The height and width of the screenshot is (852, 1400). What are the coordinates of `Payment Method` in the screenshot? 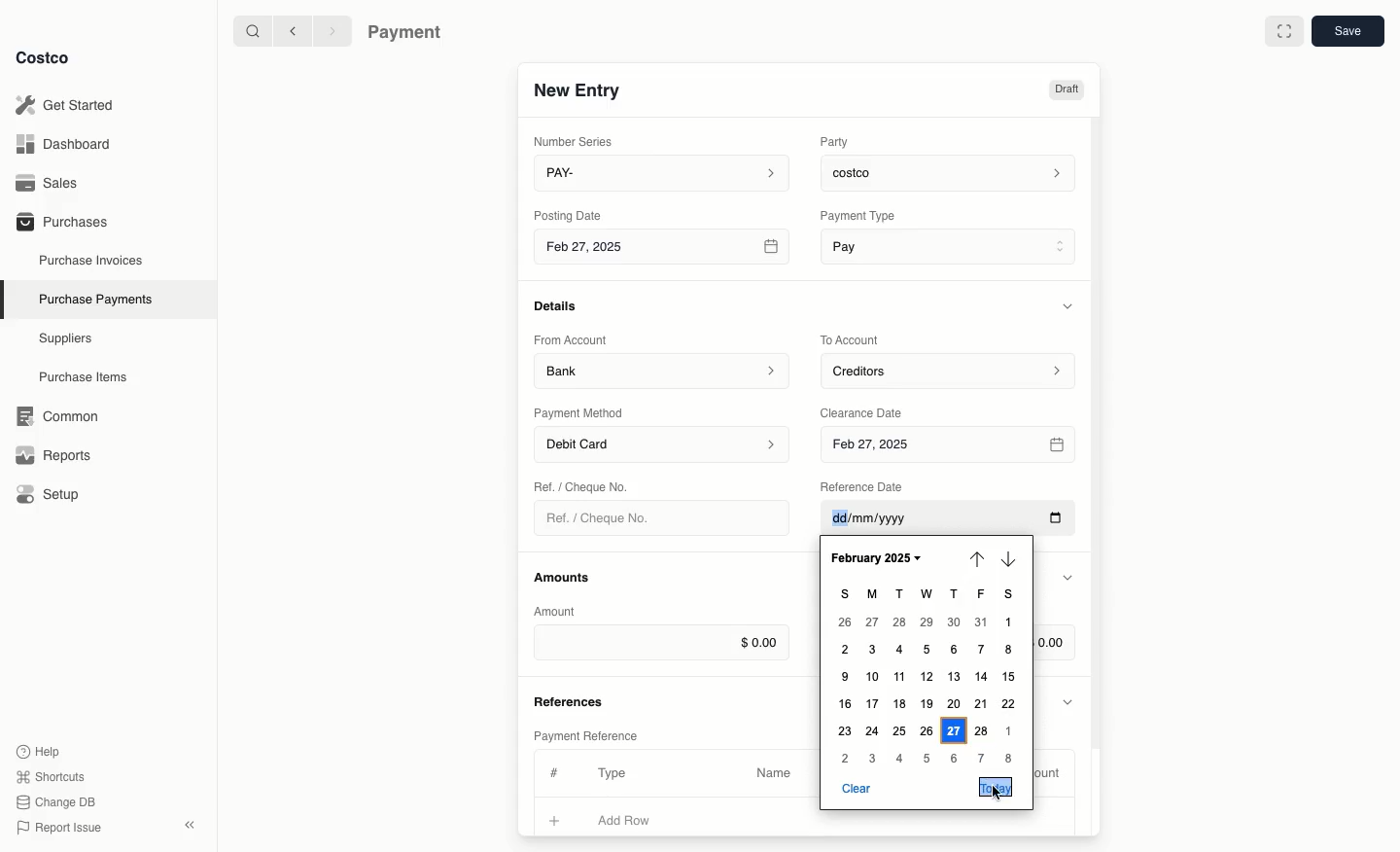 It's located at (580, 412).